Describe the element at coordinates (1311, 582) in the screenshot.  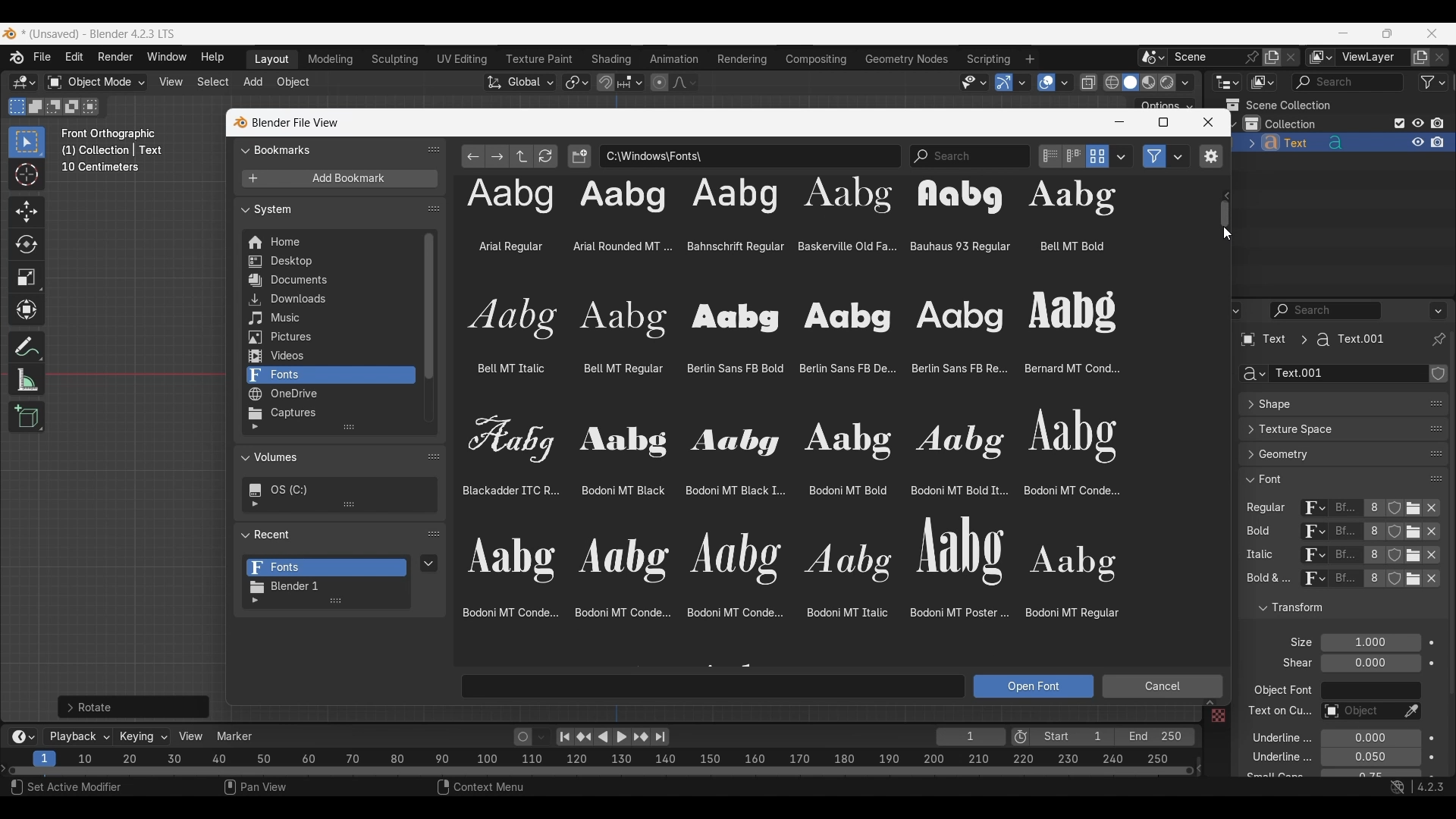
I see `Browse ID data` at that location.